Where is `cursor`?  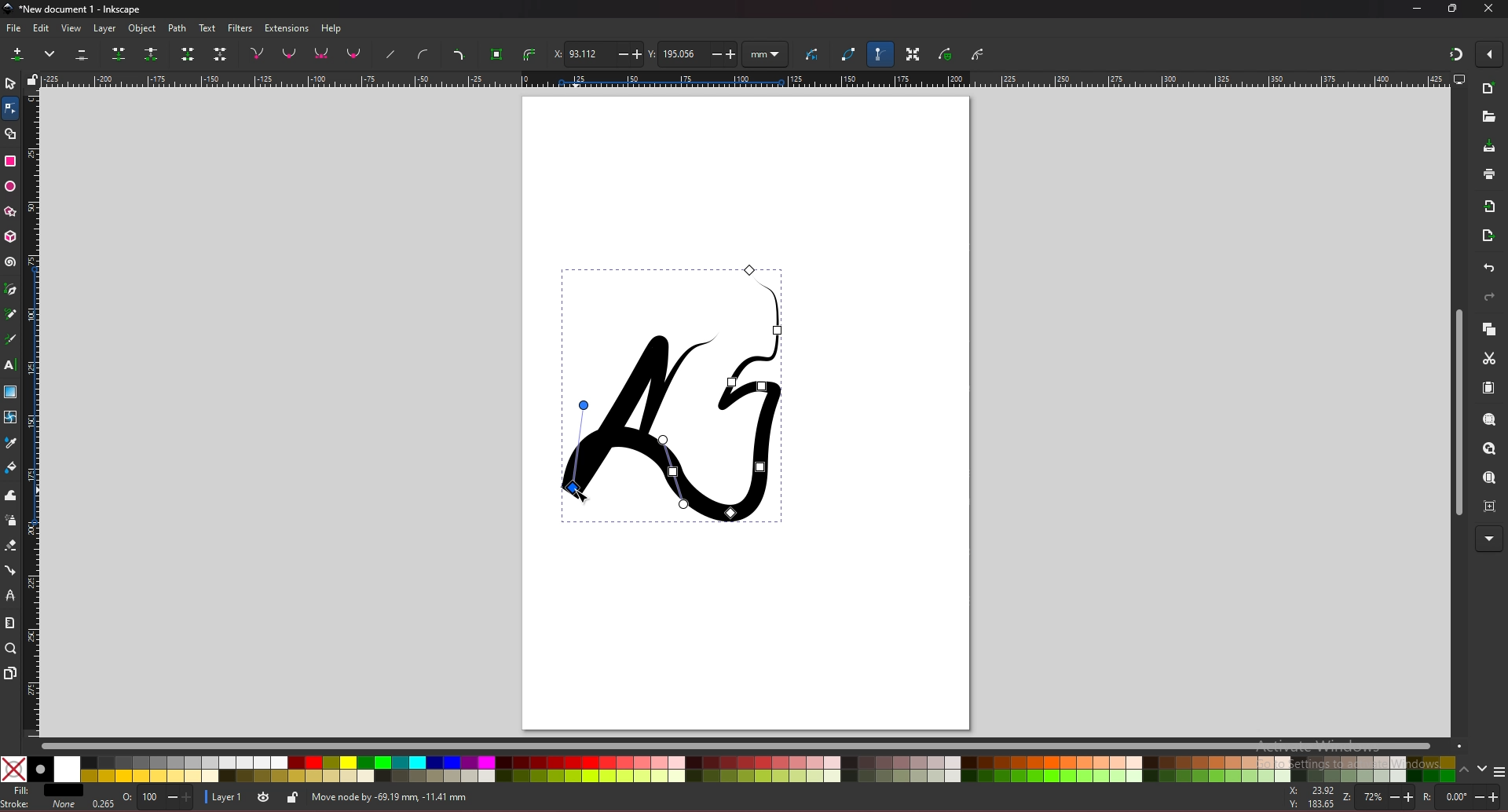 cursor is located at coordinates (580, 490).